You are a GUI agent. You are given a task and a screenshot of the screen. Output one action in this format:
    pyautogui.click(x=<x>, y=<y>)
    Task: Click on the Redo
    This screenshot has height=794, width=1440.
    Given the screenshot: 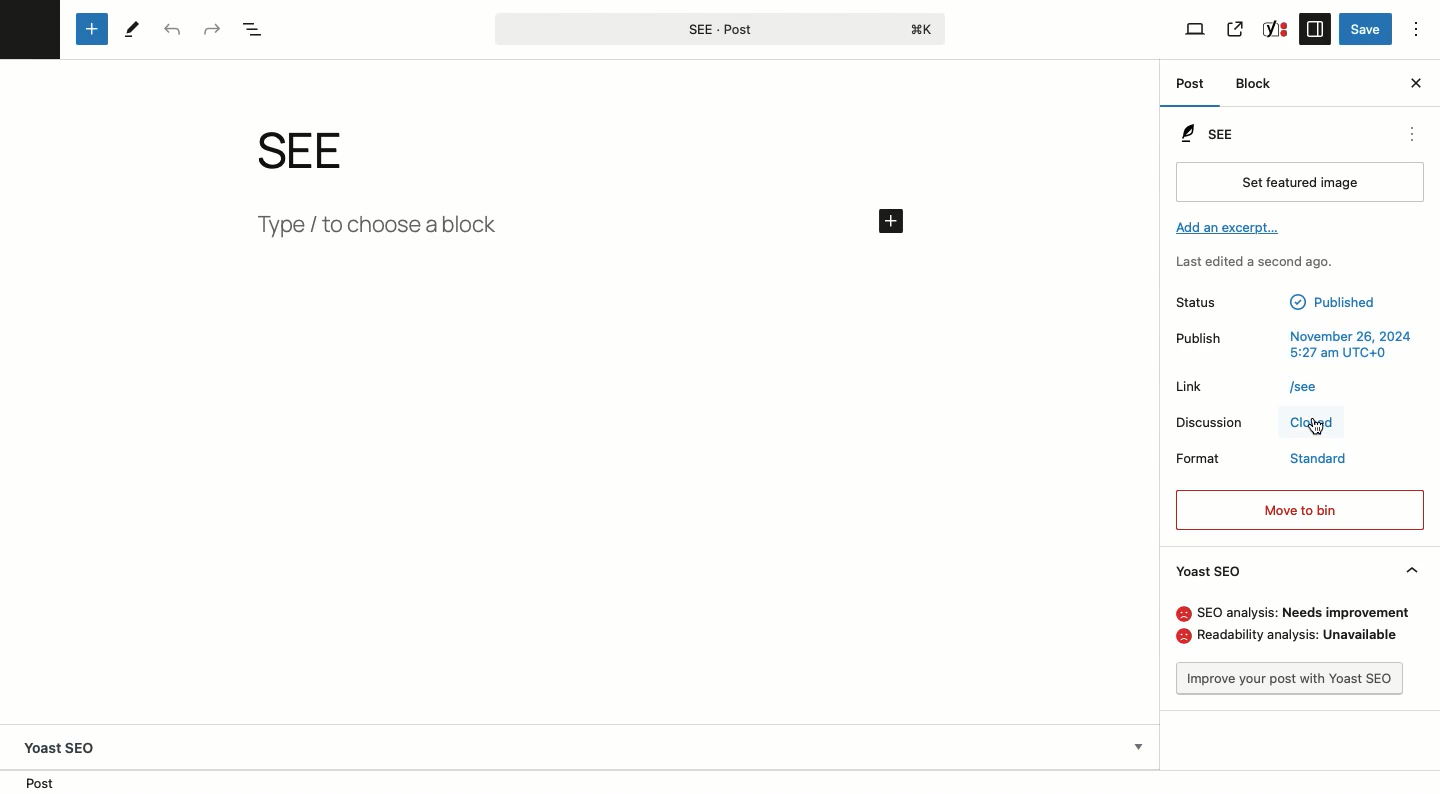 What is the action you would take?
    pyautogui.click(x=212, y=28)
    